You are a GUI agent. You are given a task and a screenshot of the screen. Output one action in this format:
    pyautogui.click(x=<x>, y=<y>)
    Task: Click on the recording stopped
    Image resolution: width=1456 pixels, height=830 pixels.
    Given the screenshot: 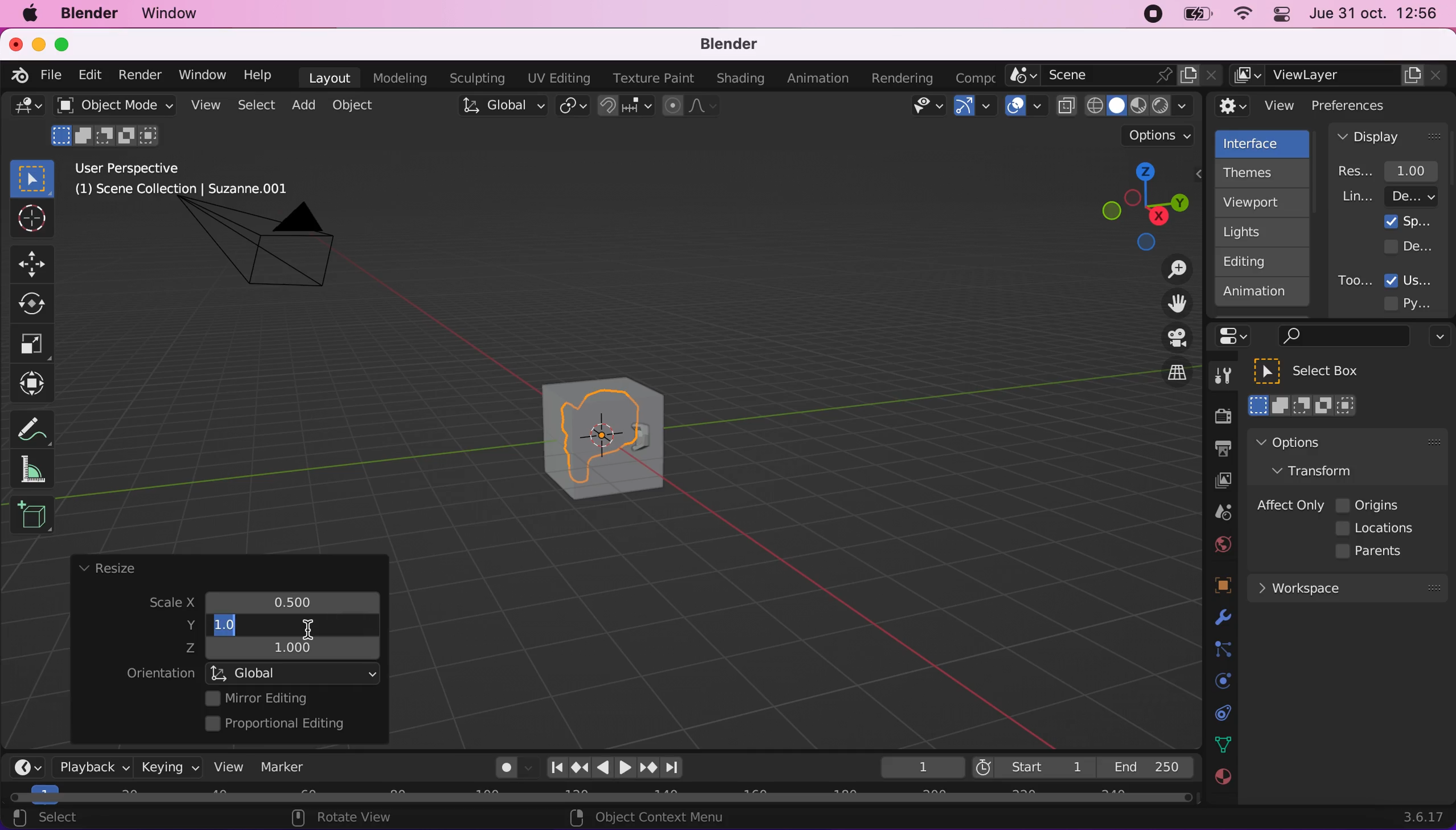 What is the action you would take?
    pyautogui.click(x=1148, y=16)
    